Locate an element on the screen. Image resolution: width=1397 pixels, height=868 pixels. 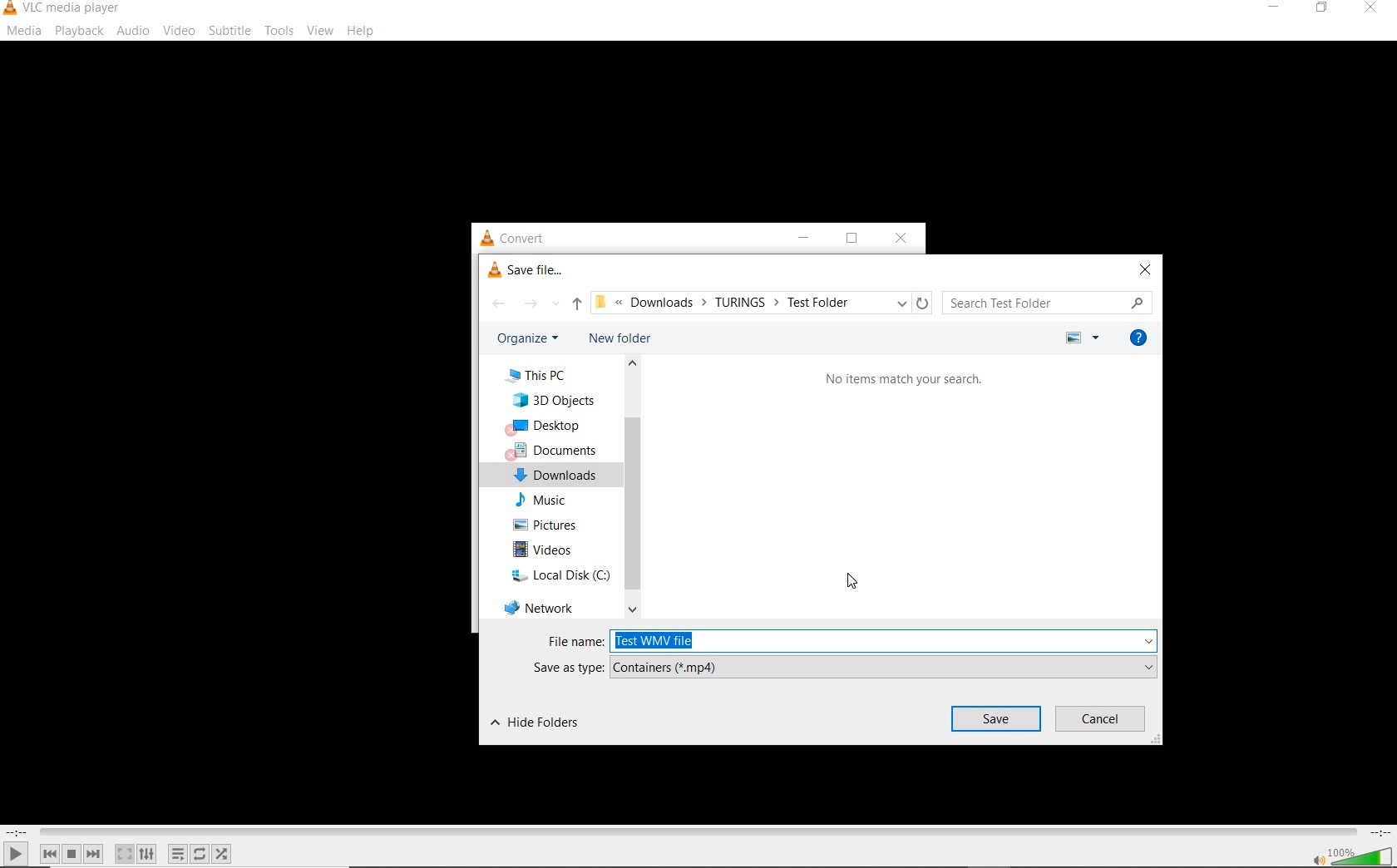
up is located at coordinates (577, 304).